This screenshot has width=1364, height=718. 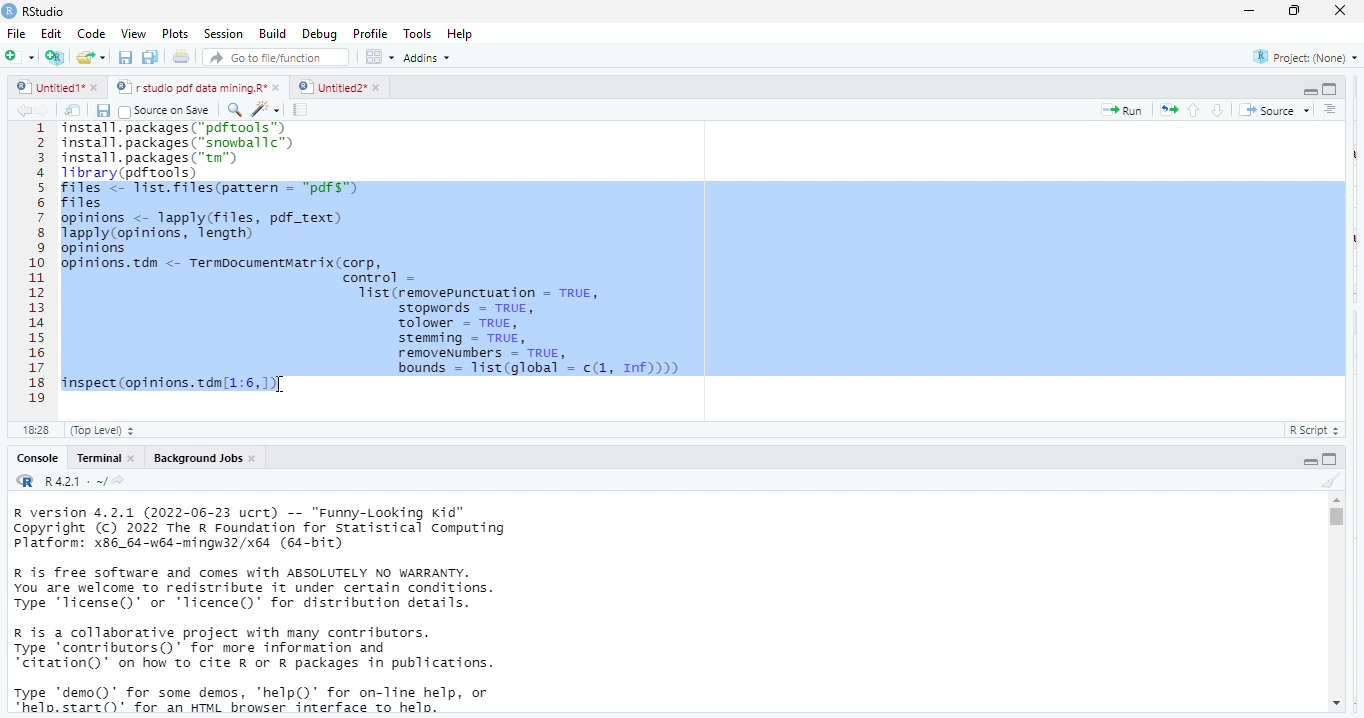 I want to click on rs studio, so click(x=26, y=482).